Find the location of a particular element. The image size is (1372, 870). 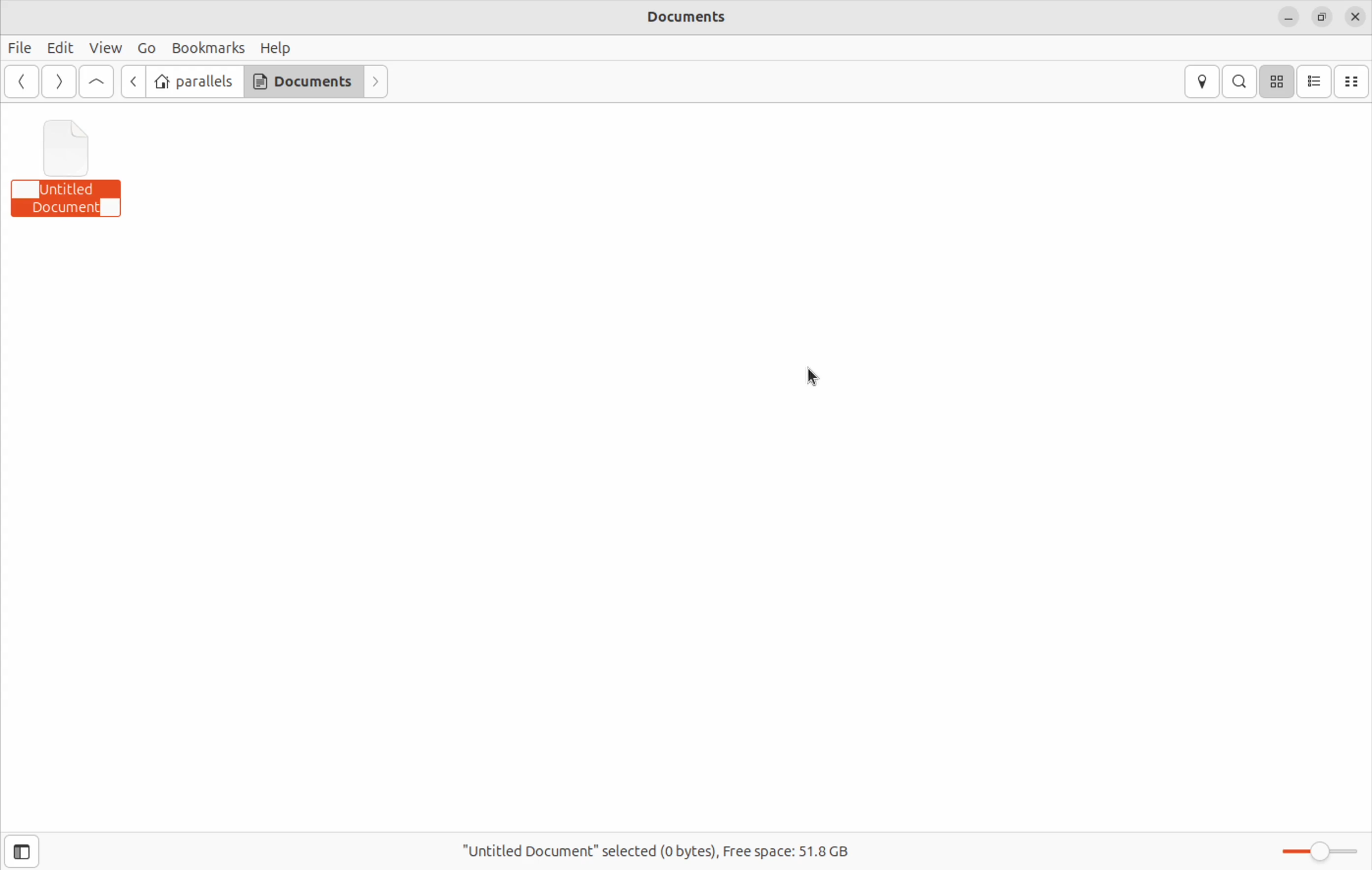

View is located at coordinates (108, 47).